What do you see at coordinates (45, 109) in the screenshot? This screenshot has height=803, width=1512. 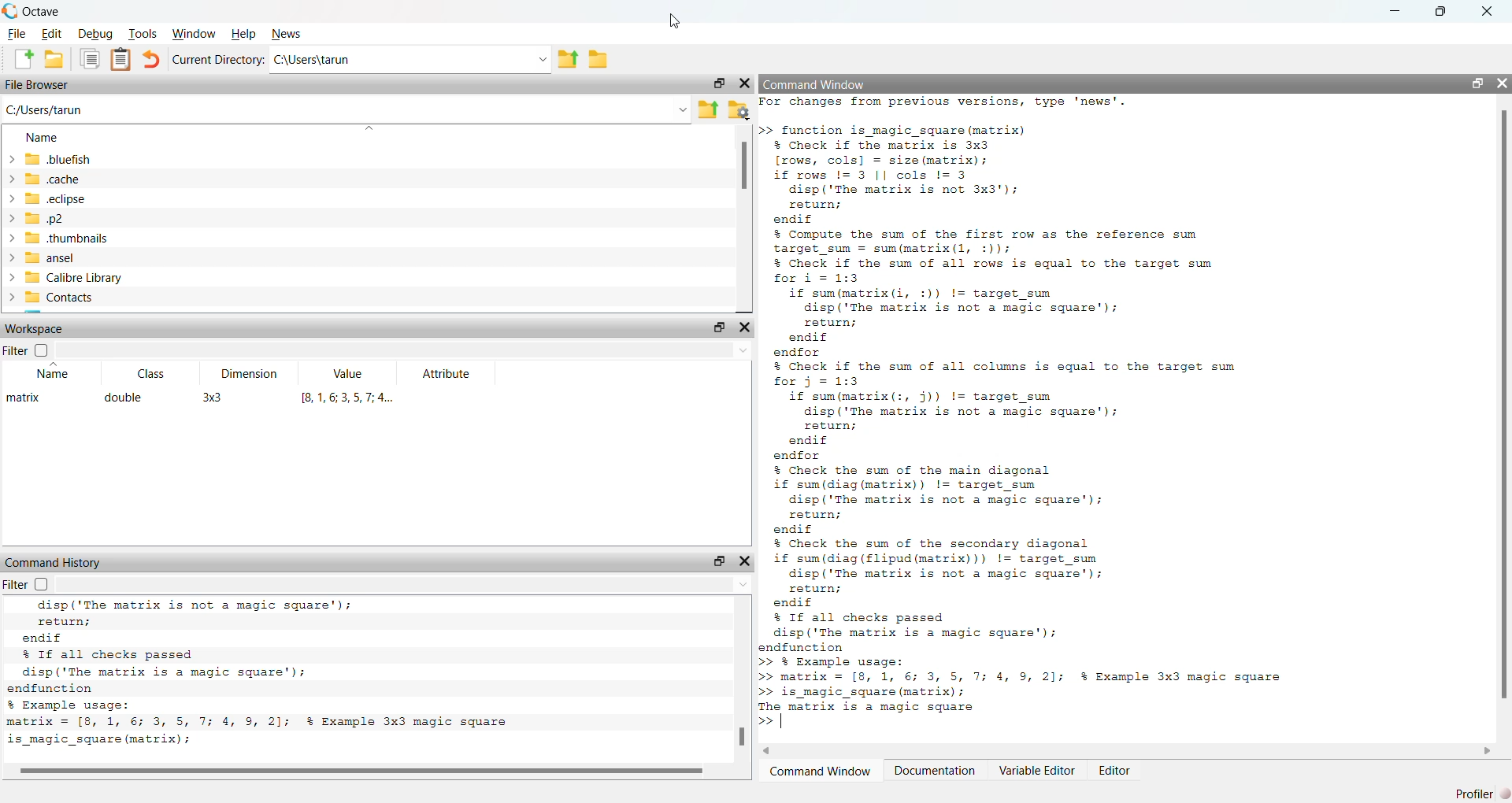 I see `C:\Users\tarun` at bounding box center [45, 109].